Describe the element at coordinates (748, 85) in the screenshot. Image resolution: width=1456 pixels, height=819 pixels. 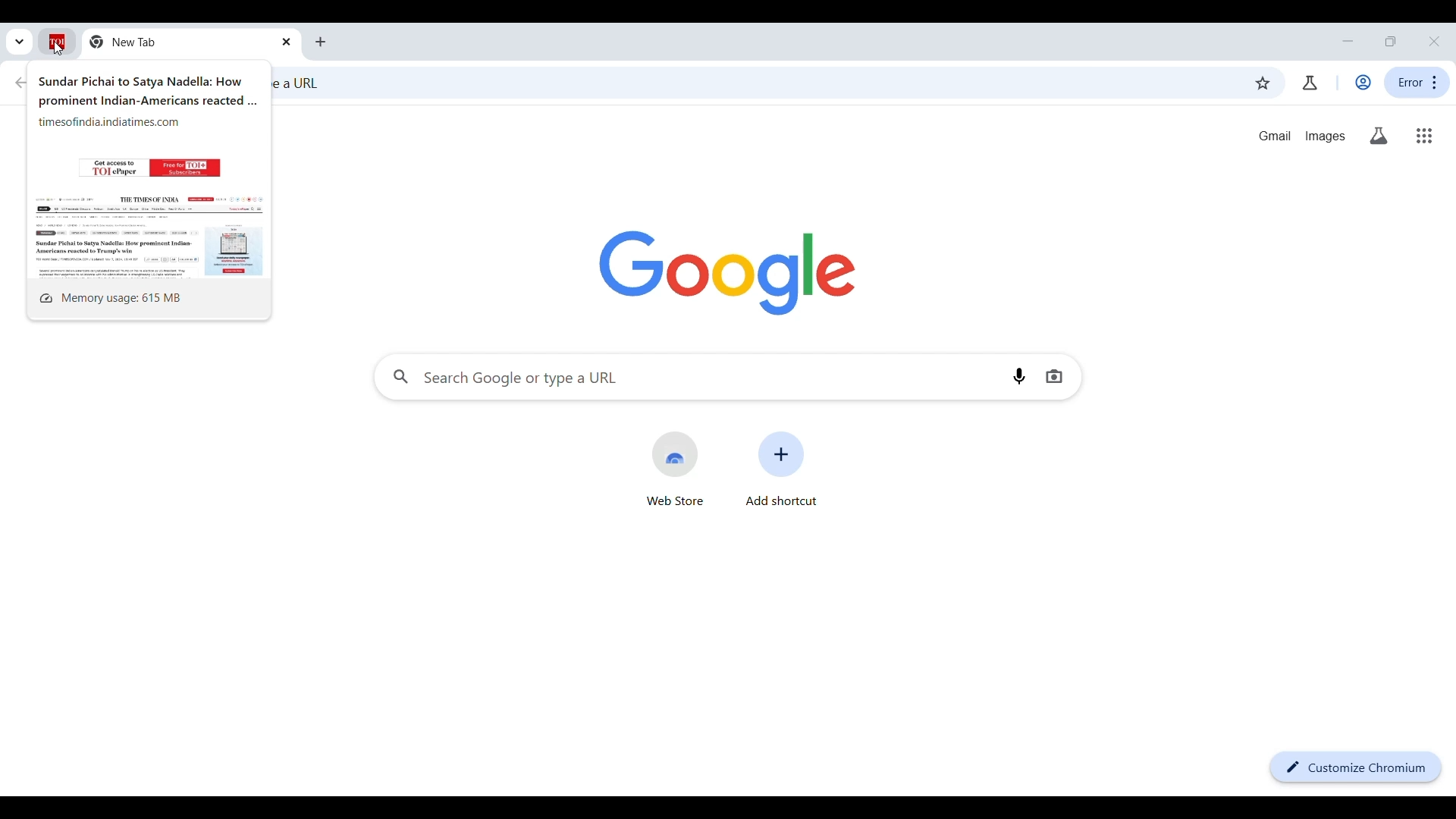
I see `Search web box` at that location.